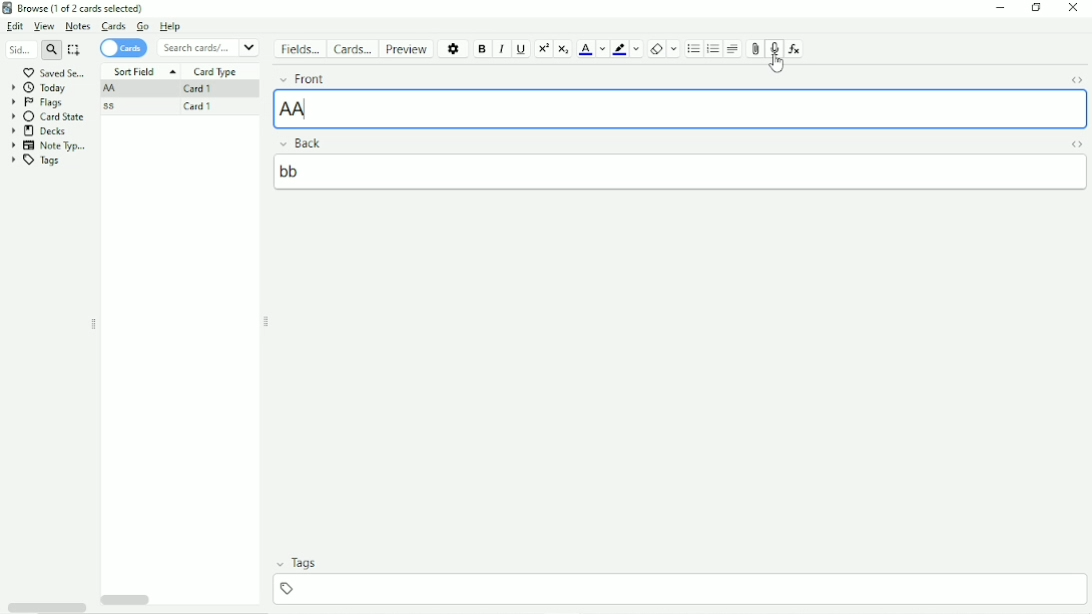 The image size is (1092, 614). What do you see at coordinates (564, 48) in the screenshot?
I see `Subscript` at bounding box center [564, 48].